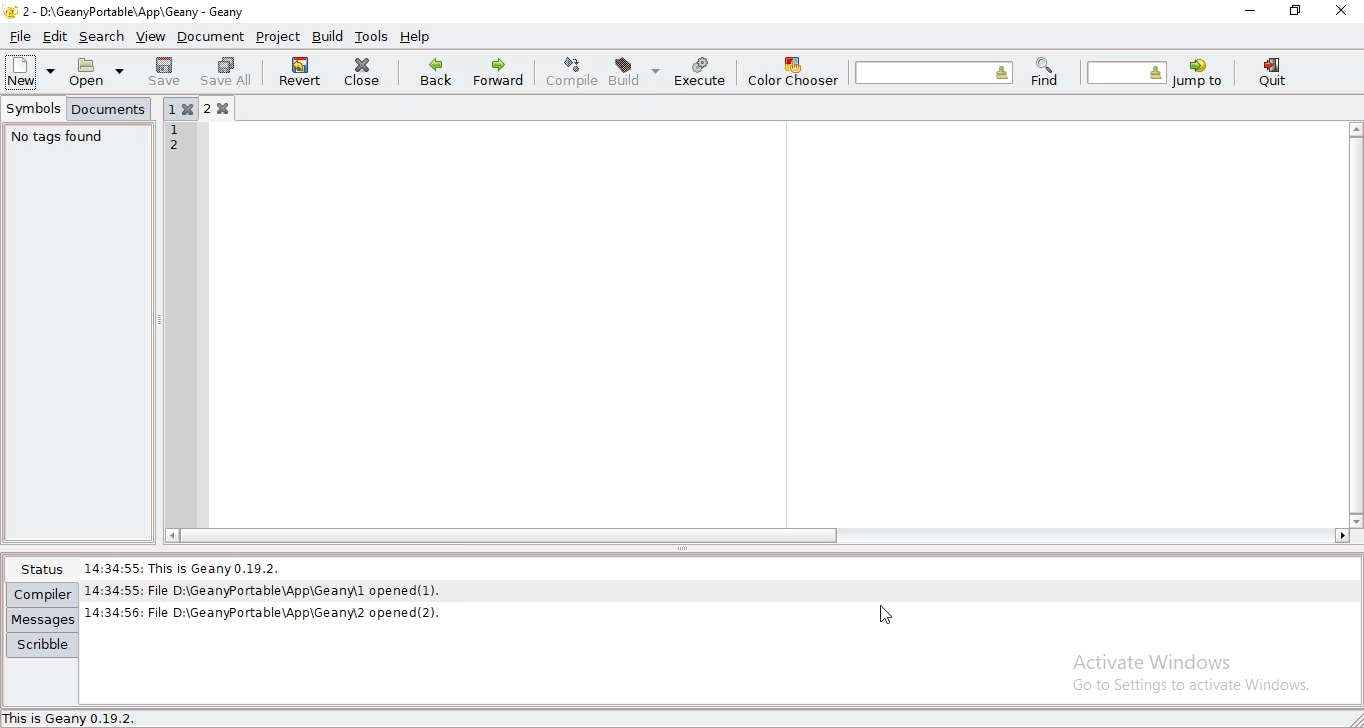 Image resolution: width=1364 pixels, height=728 pixels. Describe the element at coordinates (1187, 688) in the screenshot. I see `go to settings to activate windows` at that location.